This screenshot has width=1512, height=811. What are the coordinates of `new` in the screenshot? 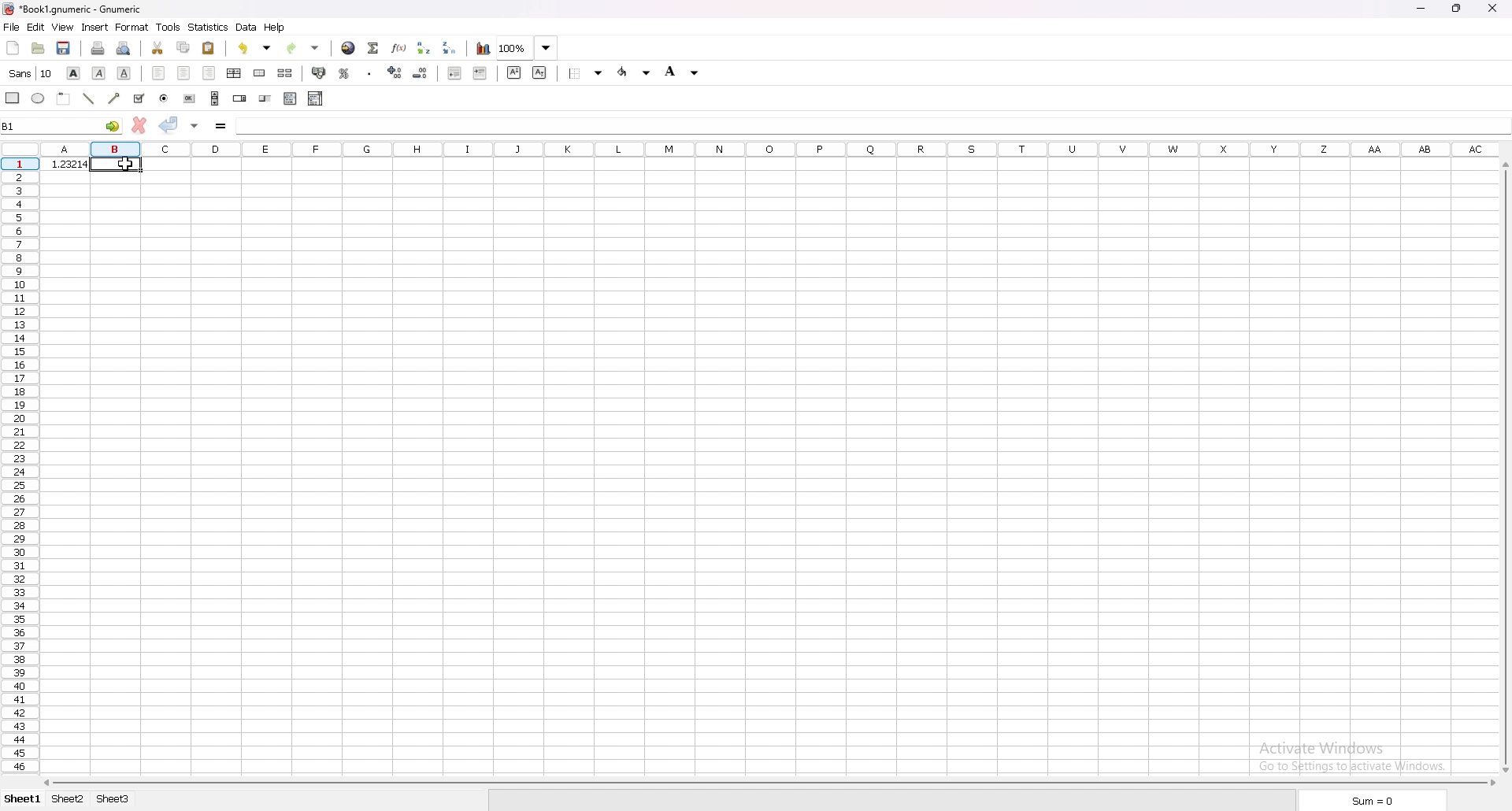 It's located at (13, 47).